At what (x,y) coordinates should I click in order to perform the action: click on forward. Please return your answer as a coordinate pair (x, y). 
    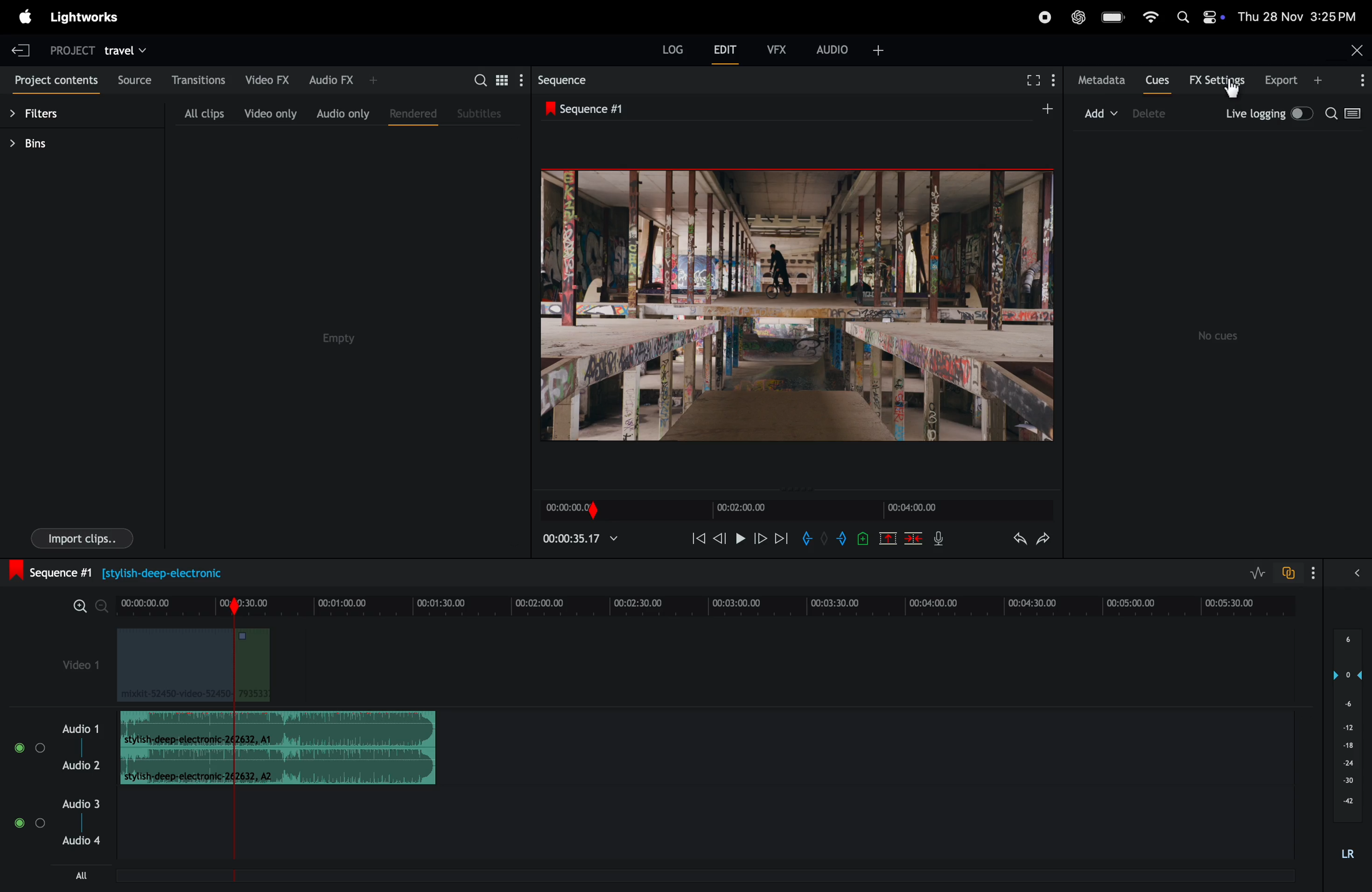
    Looking at the image, I should click on (782, 541).